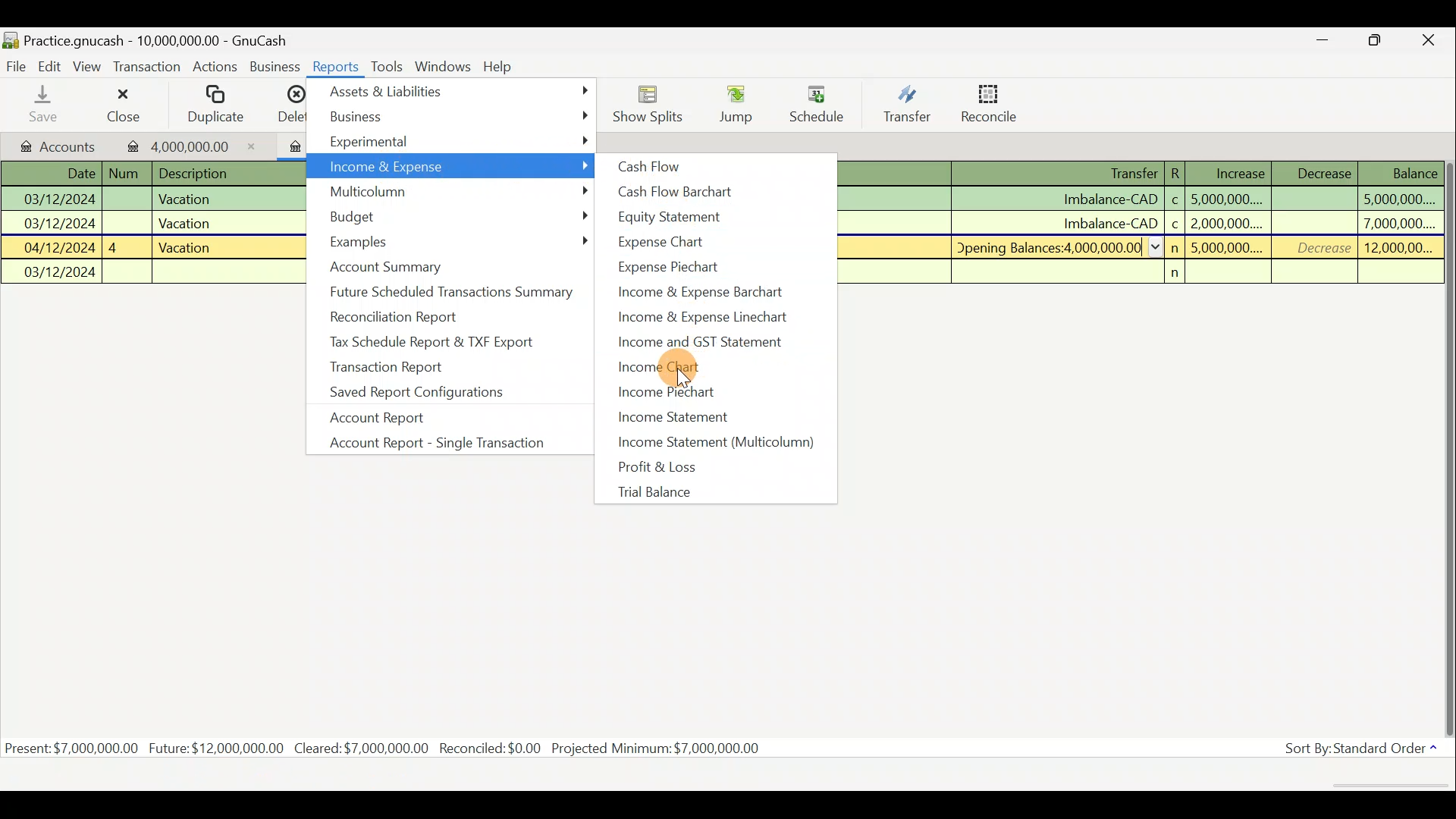 This screenshot has height=819, width=1456. Describe the element at coordinates (679, 216) in the screenshot. I see `Equity statement` at that location.